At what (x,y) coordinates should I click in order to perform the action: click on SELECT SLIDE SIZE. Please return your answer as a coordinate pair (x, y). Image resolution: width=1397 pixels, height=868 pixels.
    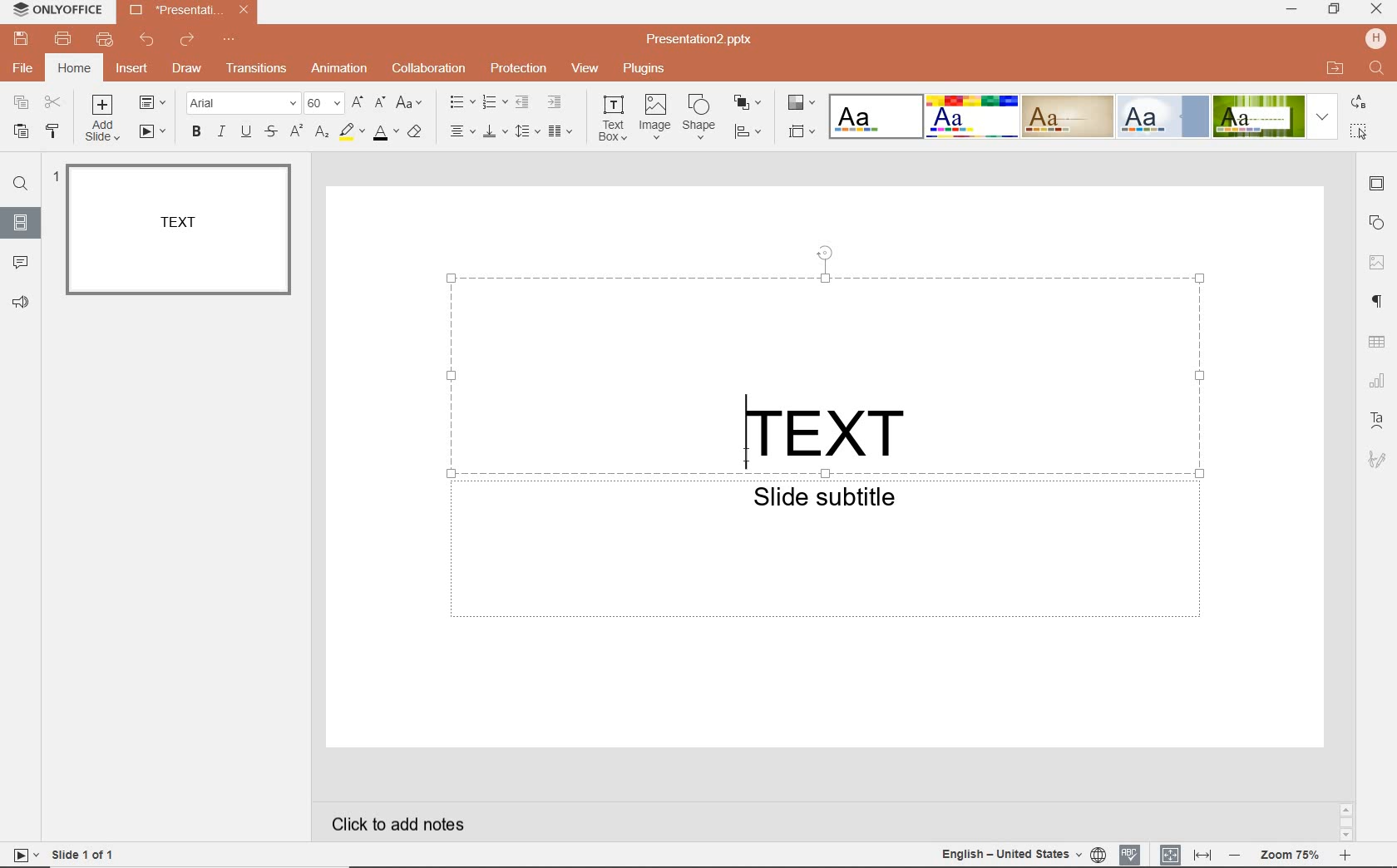
    Looking at the image, I should click on (802, 131).